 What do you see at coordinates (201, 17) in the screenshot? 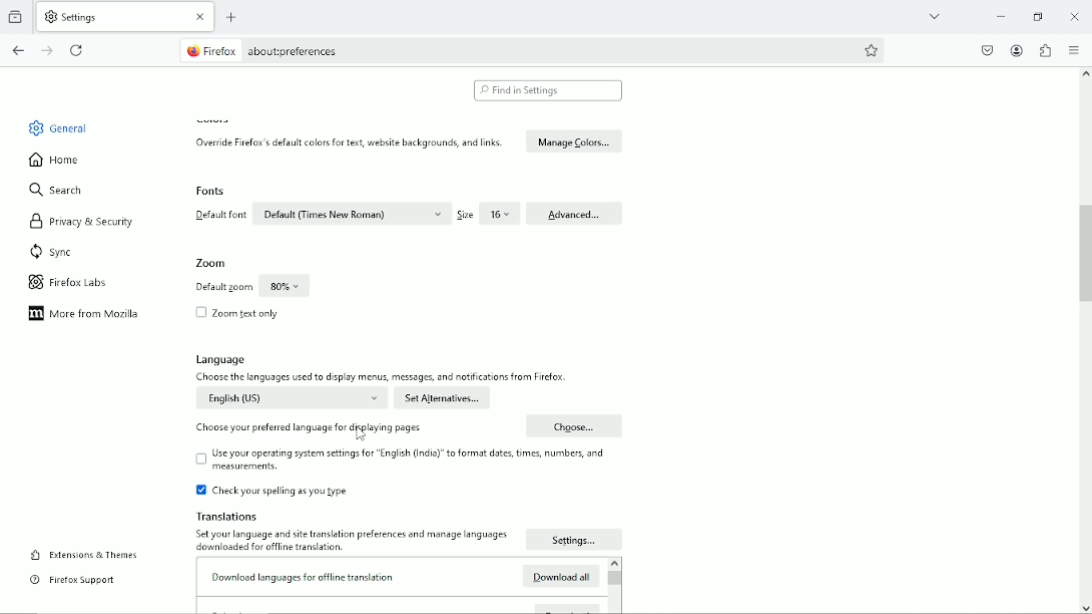
I see `Close` at bounding box center [201, 17].